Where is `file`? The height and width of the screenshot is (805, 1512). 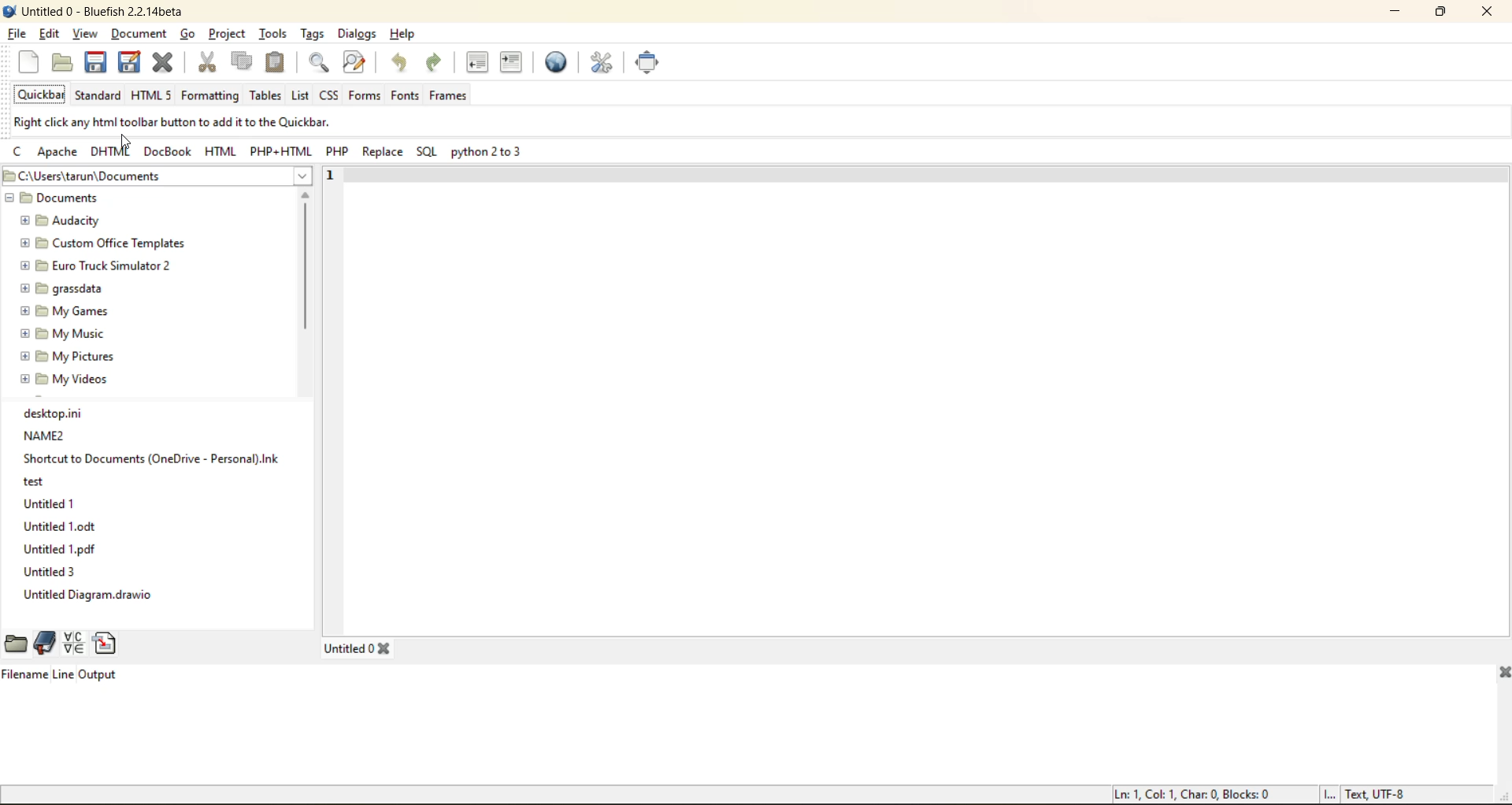 file is located at coordinates (16, 33).